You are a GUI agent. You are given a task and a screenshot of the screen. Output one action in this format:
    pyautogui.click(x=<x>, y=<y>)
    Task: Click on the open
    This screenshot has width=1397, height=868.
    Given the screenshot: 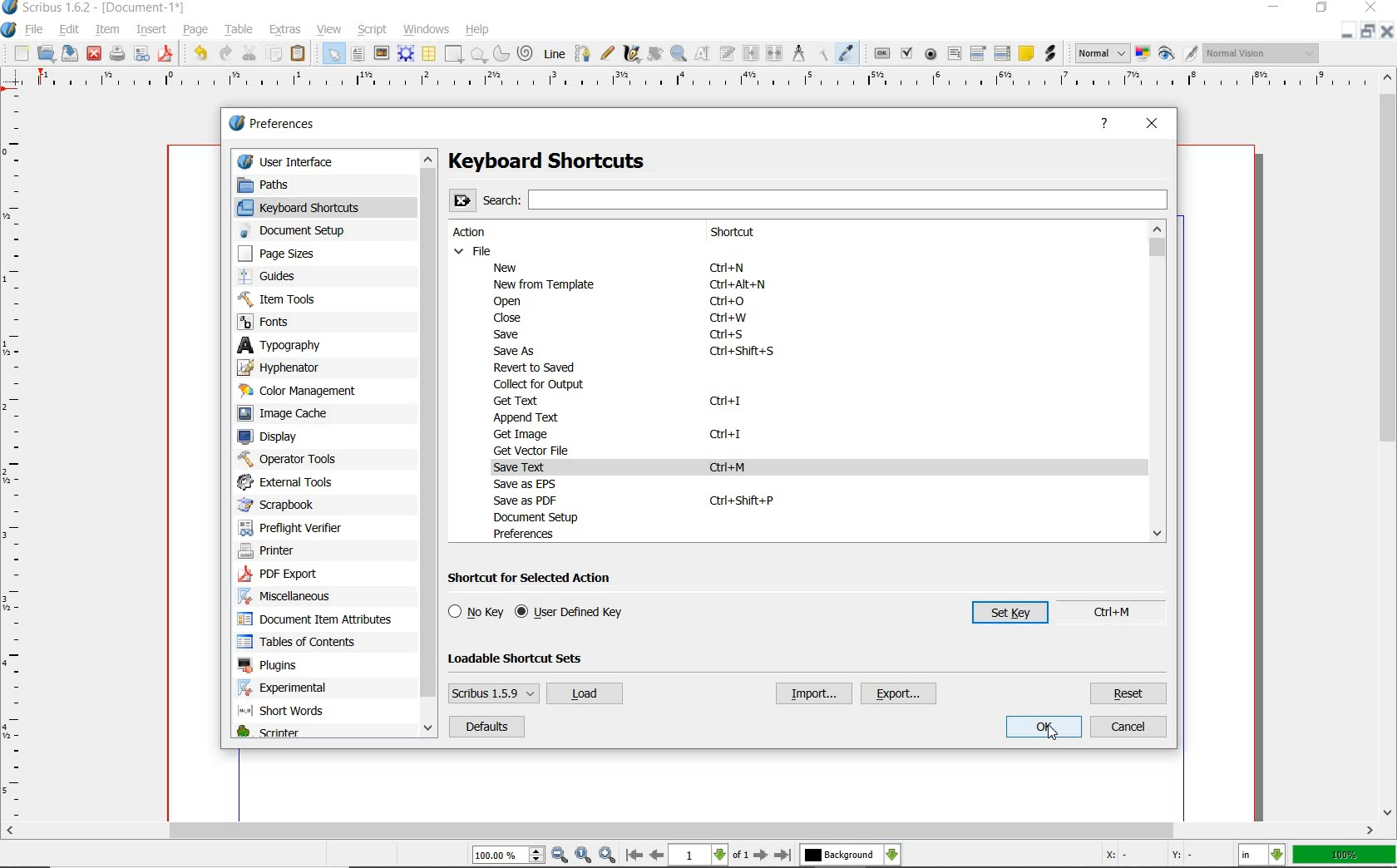 What is the action you would take?
    pyautogui.click(x=513, y=302)
    